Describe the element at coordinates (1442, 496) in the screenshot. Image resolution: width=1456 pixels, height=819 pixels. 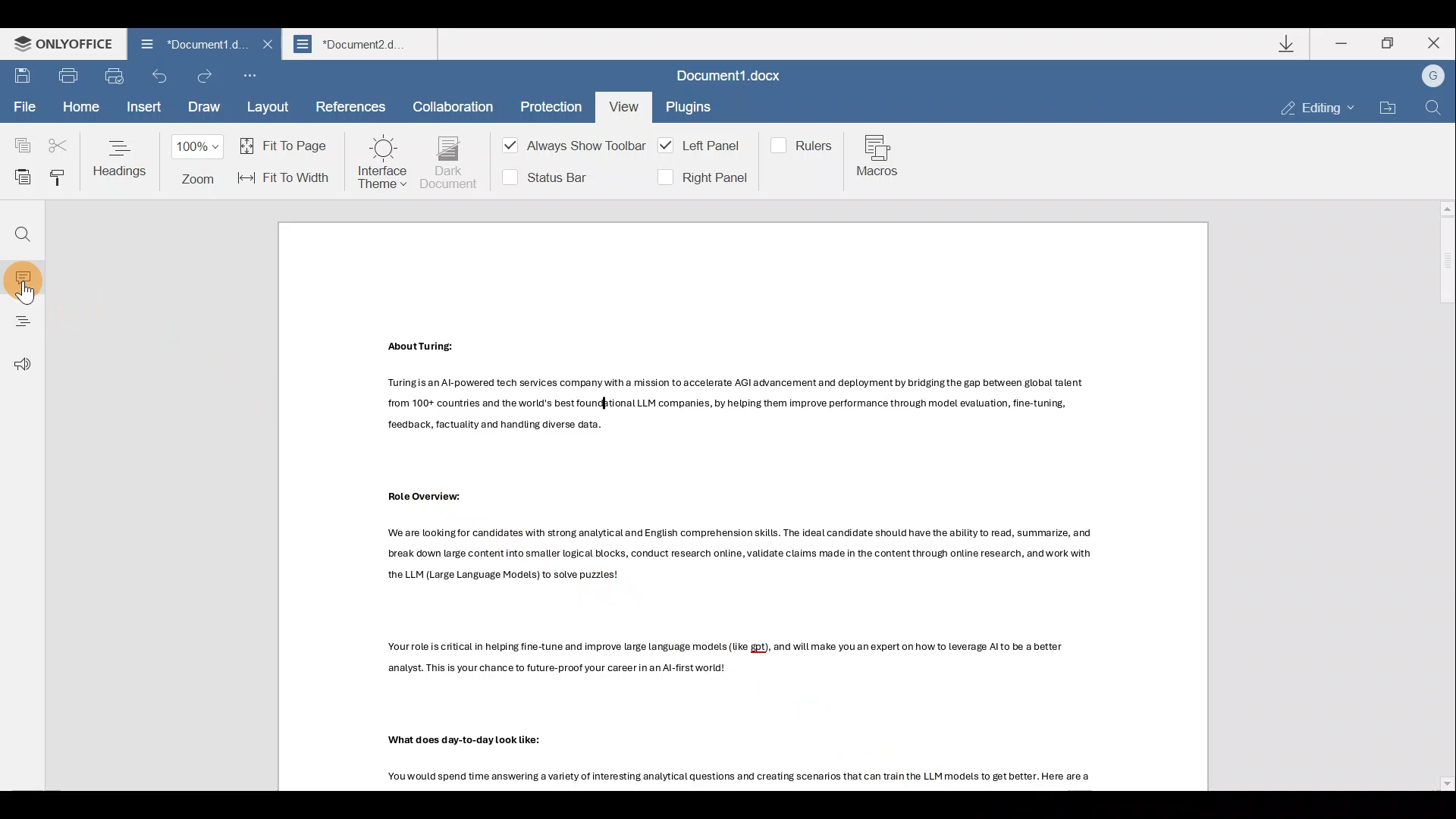
I see `Scroll bar` at that location.